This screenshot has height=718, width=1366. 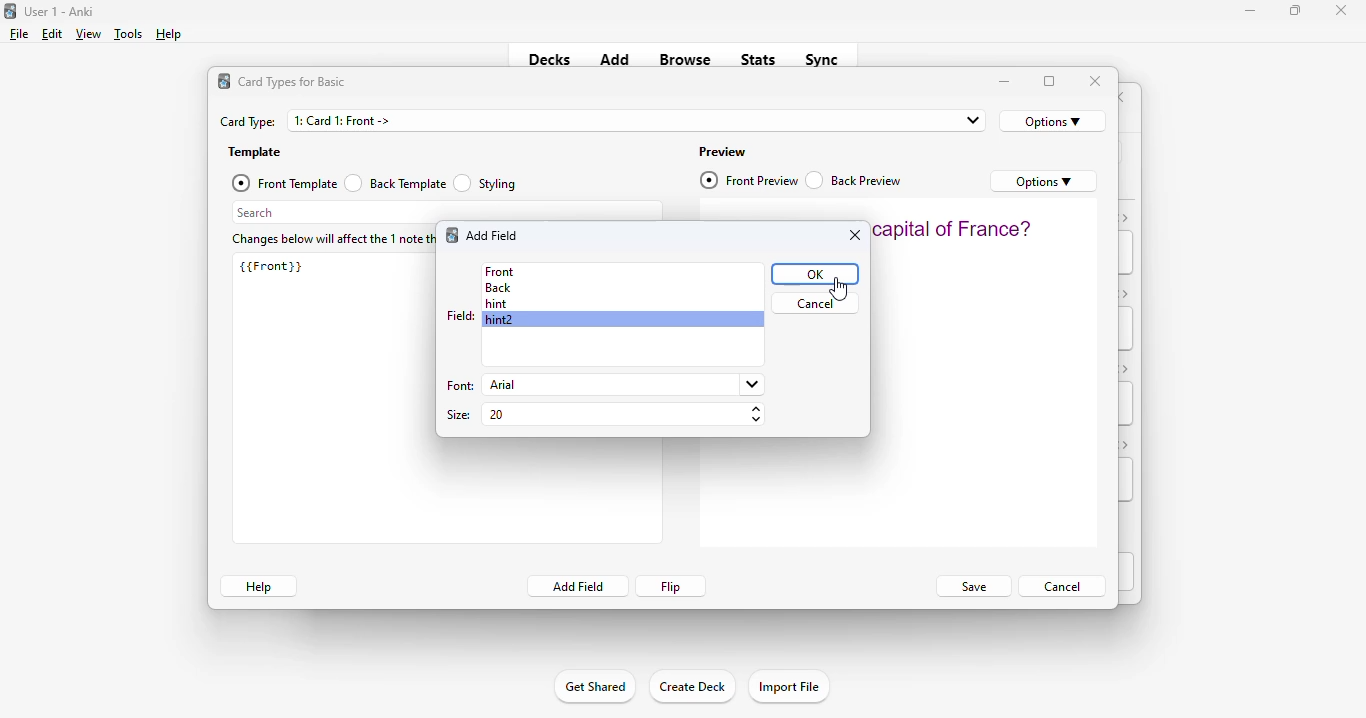 I want to click on logo, so click(x=9, y=10).